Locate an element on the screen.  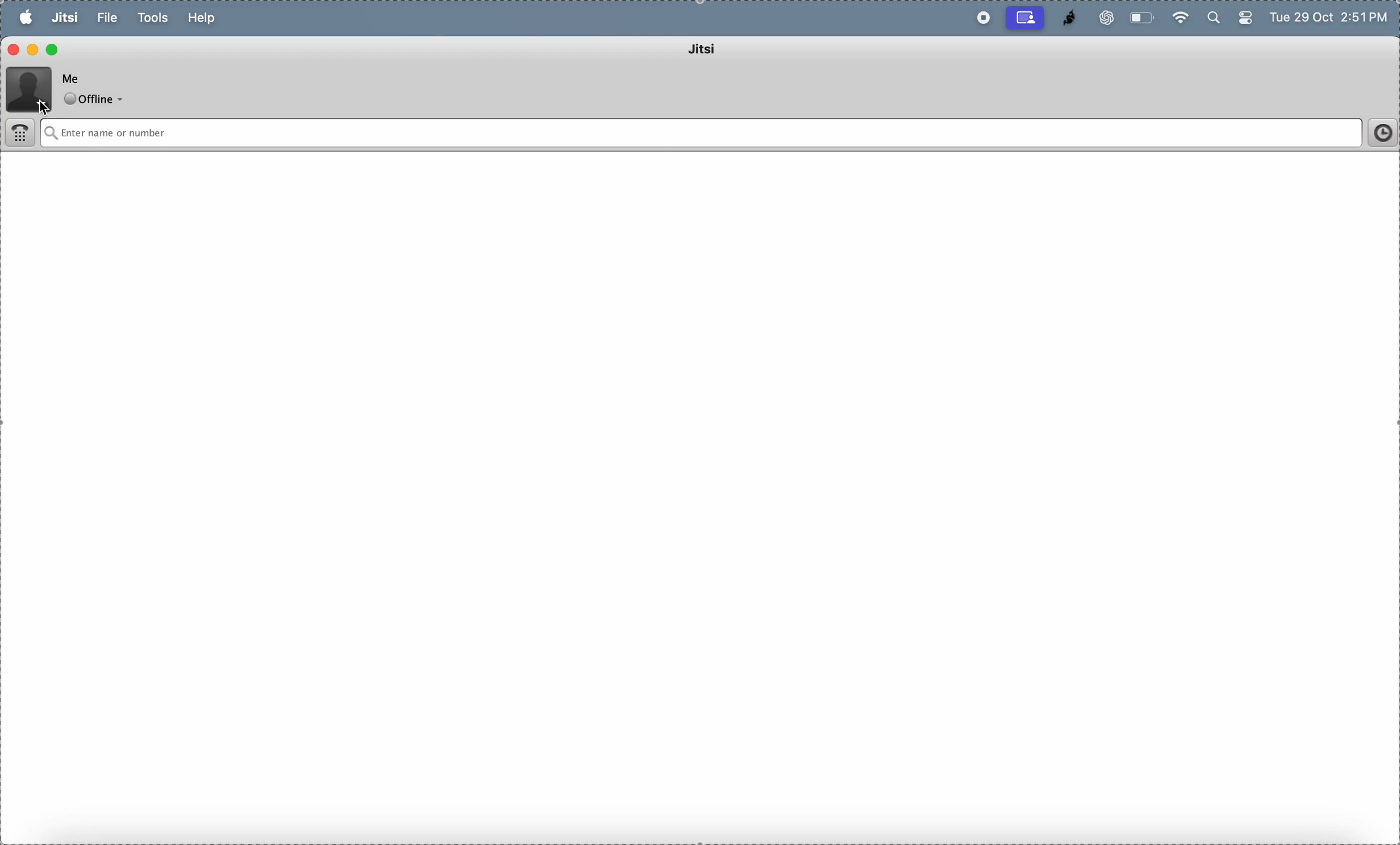
Tue 29 Oct 2:51 PM is located at coordinates (1331, 19).